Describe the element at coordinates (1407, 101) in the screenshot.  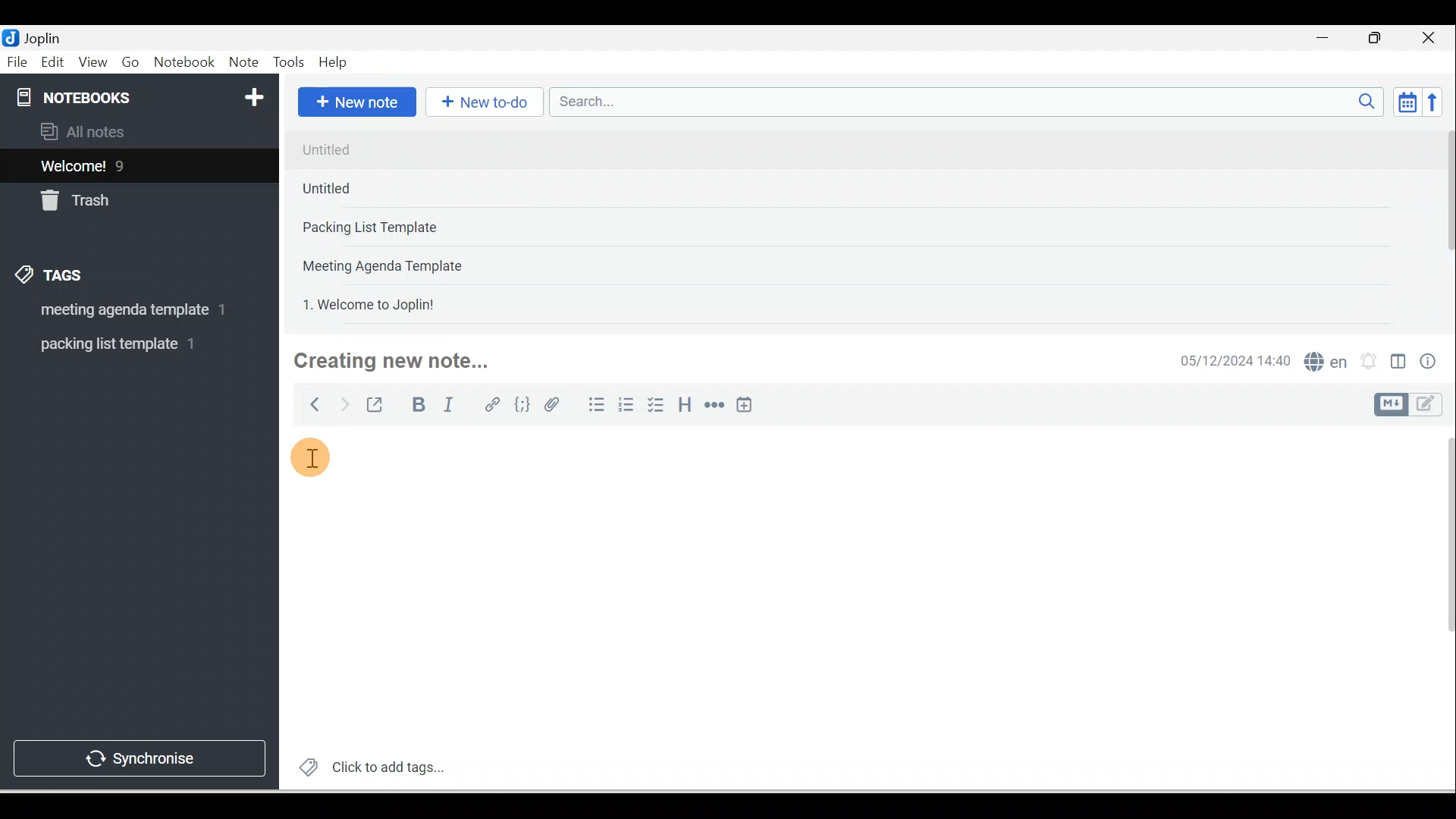
I see `Toggle sort order` at that location.